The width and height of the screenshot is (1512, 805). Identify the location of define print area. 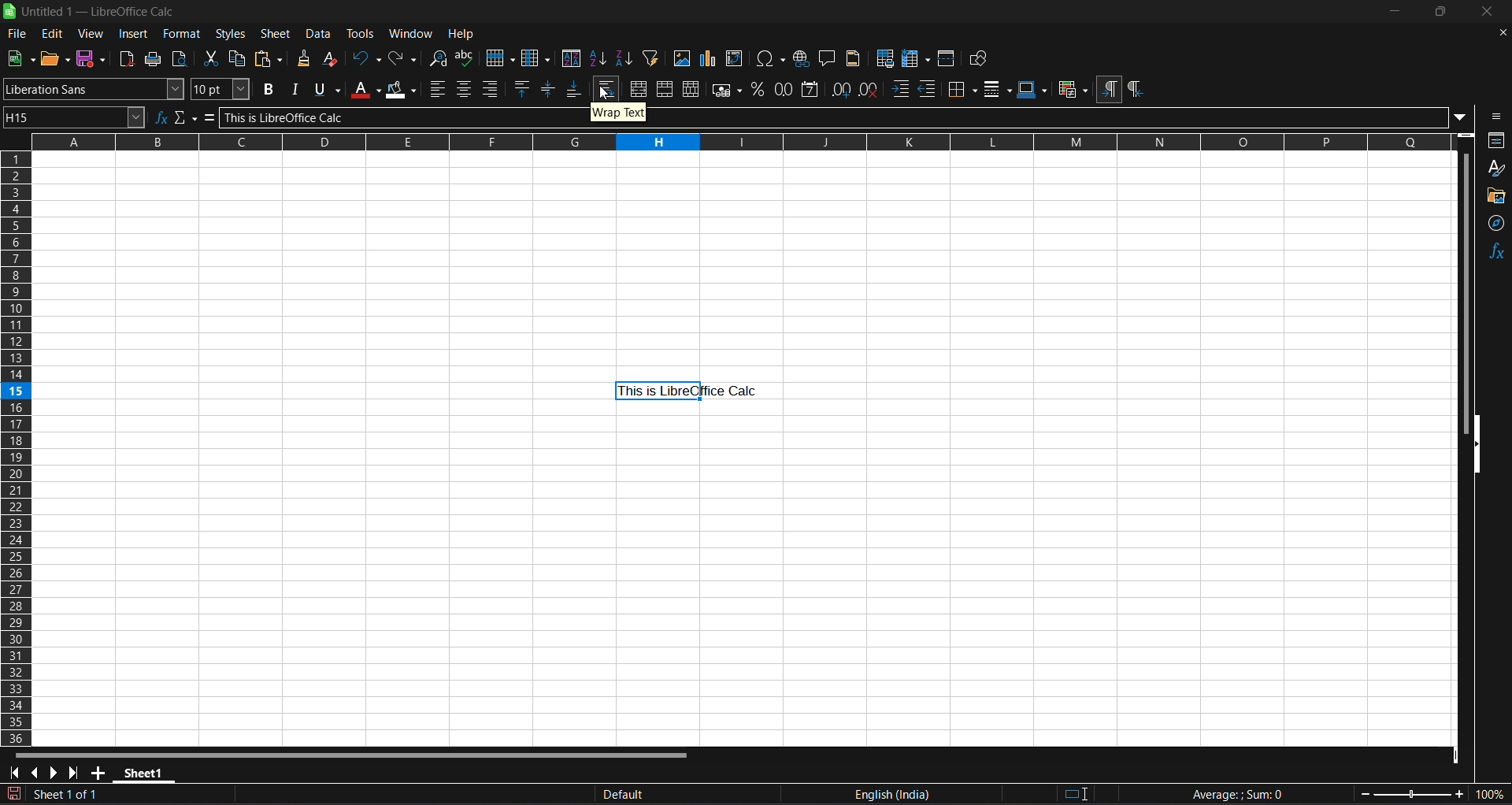
(885, 58).